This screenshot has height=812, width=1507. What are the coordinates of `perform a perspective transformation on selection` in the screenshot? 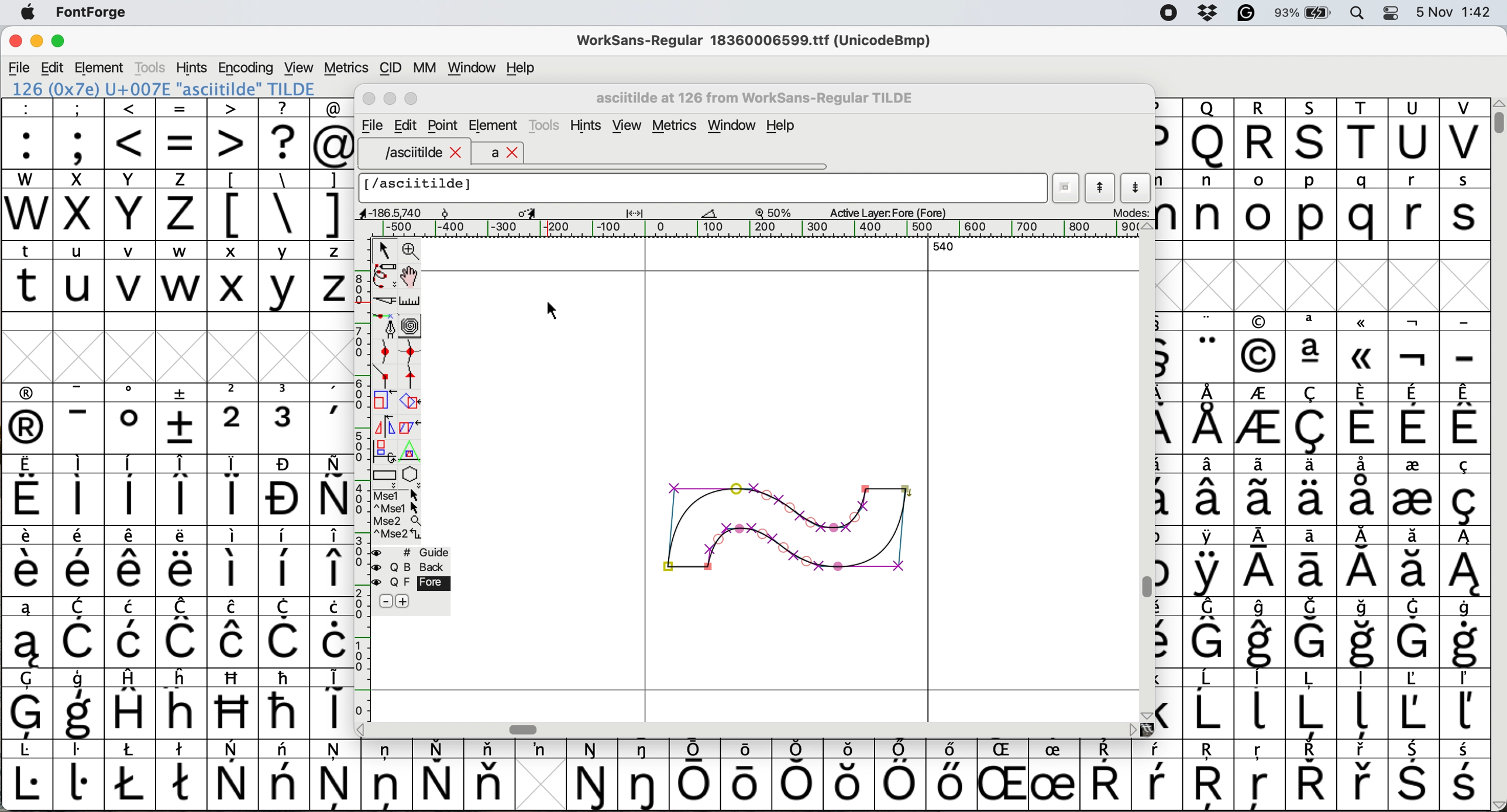 It's located at (410, 452).